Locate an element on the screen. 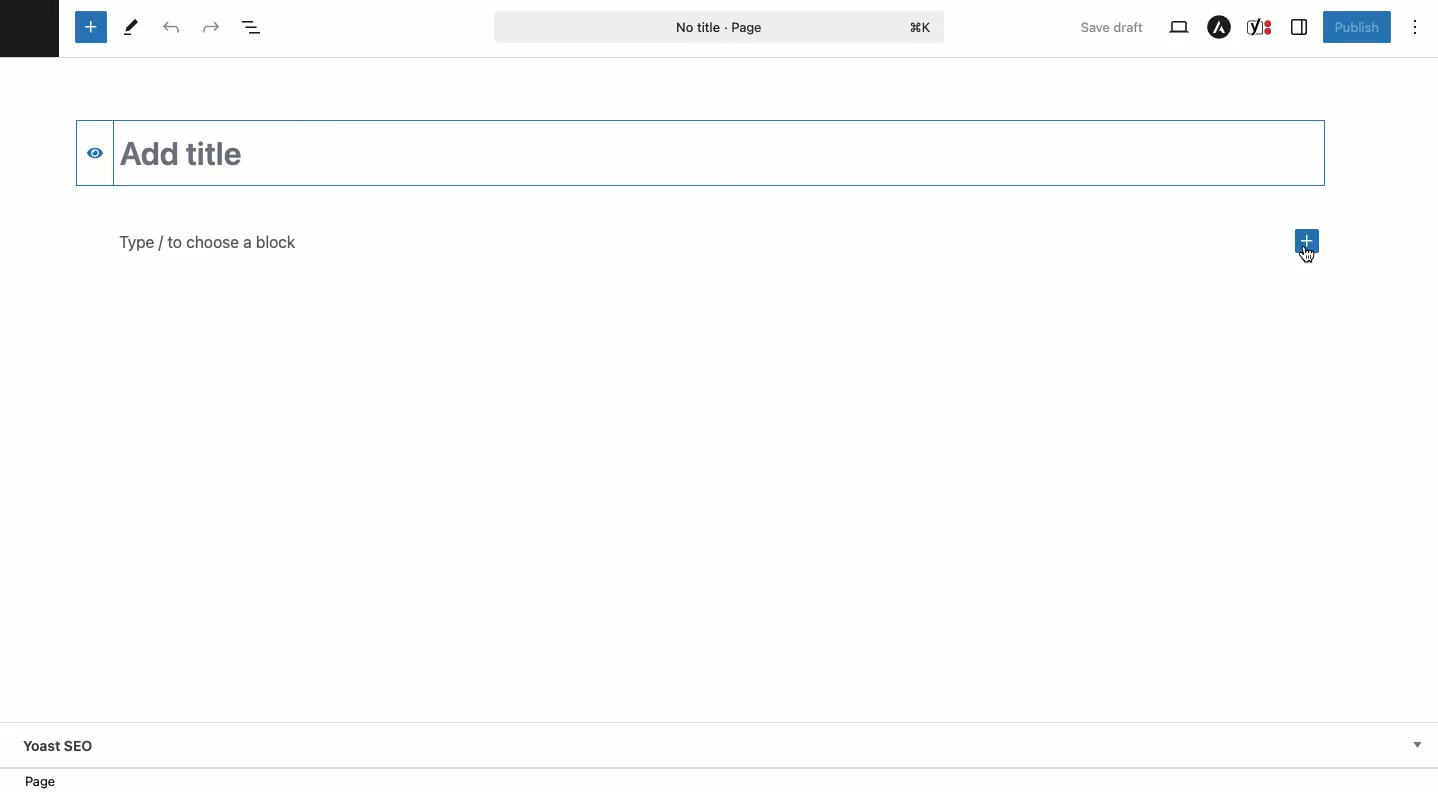 This screenshot has height=792, width=1438. Title is located at coordinates (699, 152).